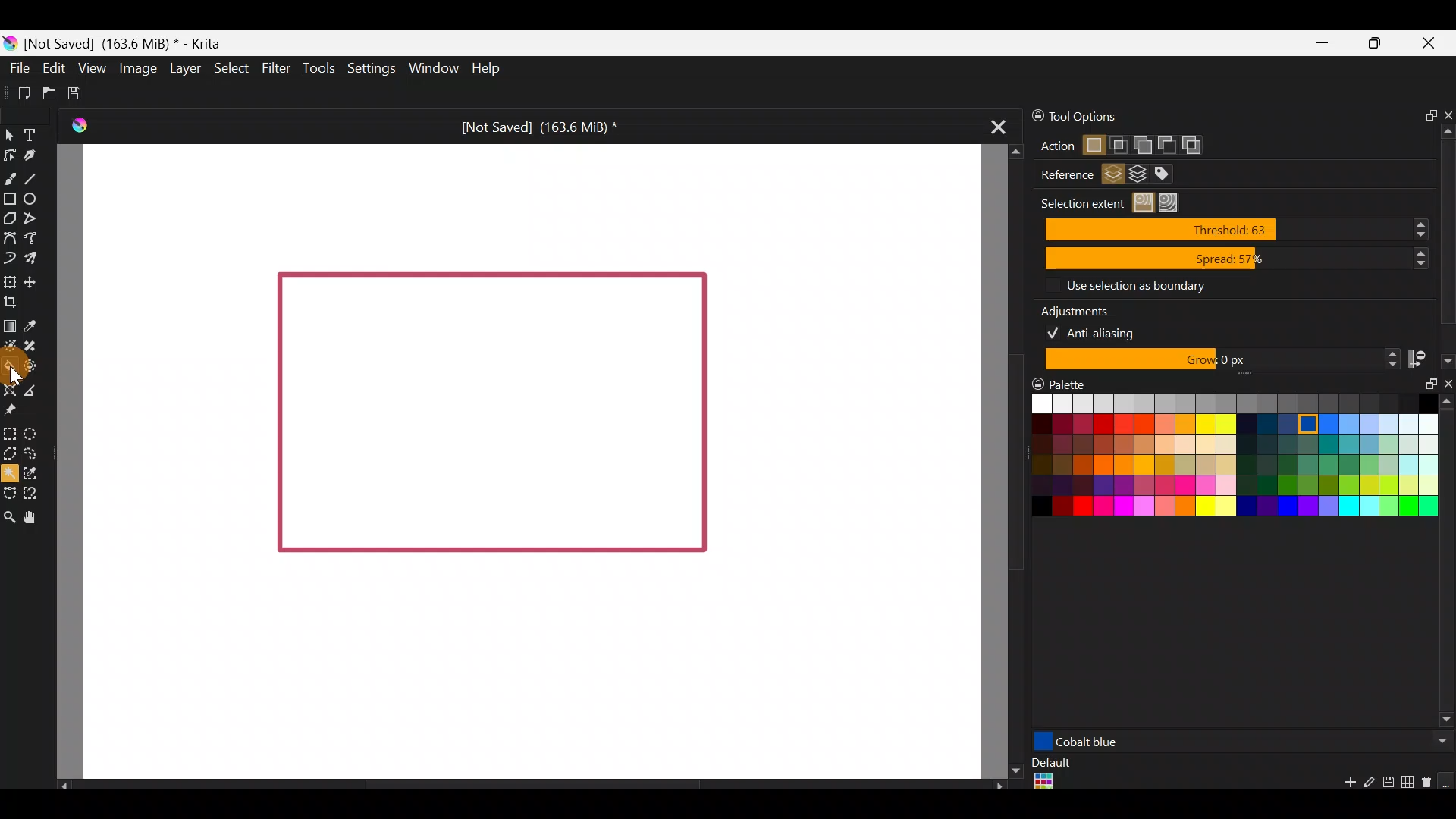  Describe the element at coordinates (9, 257) in the screenshot. I see `Dynamic brush tool` at that location.